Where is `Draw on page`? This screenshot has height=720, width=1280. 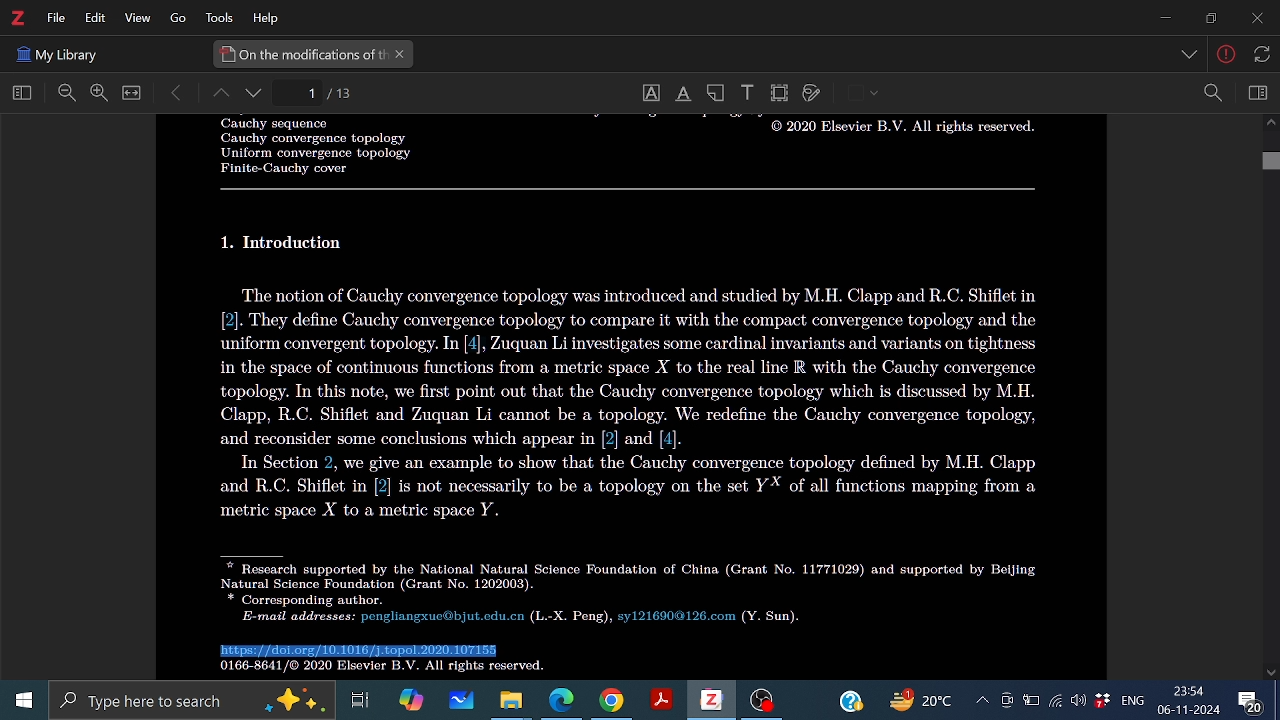 Draw on page is located at coordinates (812, 94).